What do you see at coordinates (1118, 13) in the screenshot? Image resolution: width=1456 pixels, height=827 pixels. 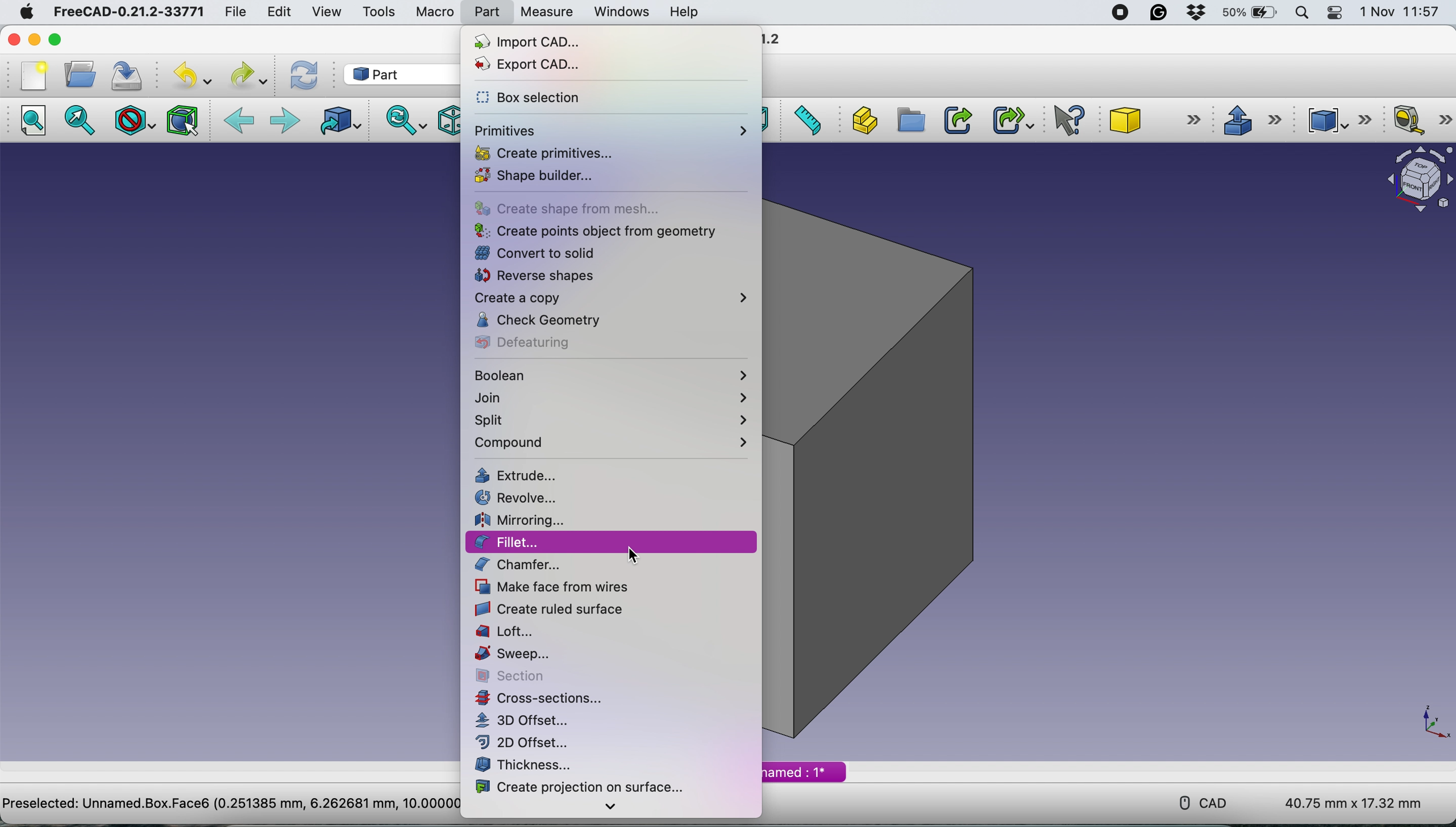 I see `screen recorder` at bounding box center [1118, 13].